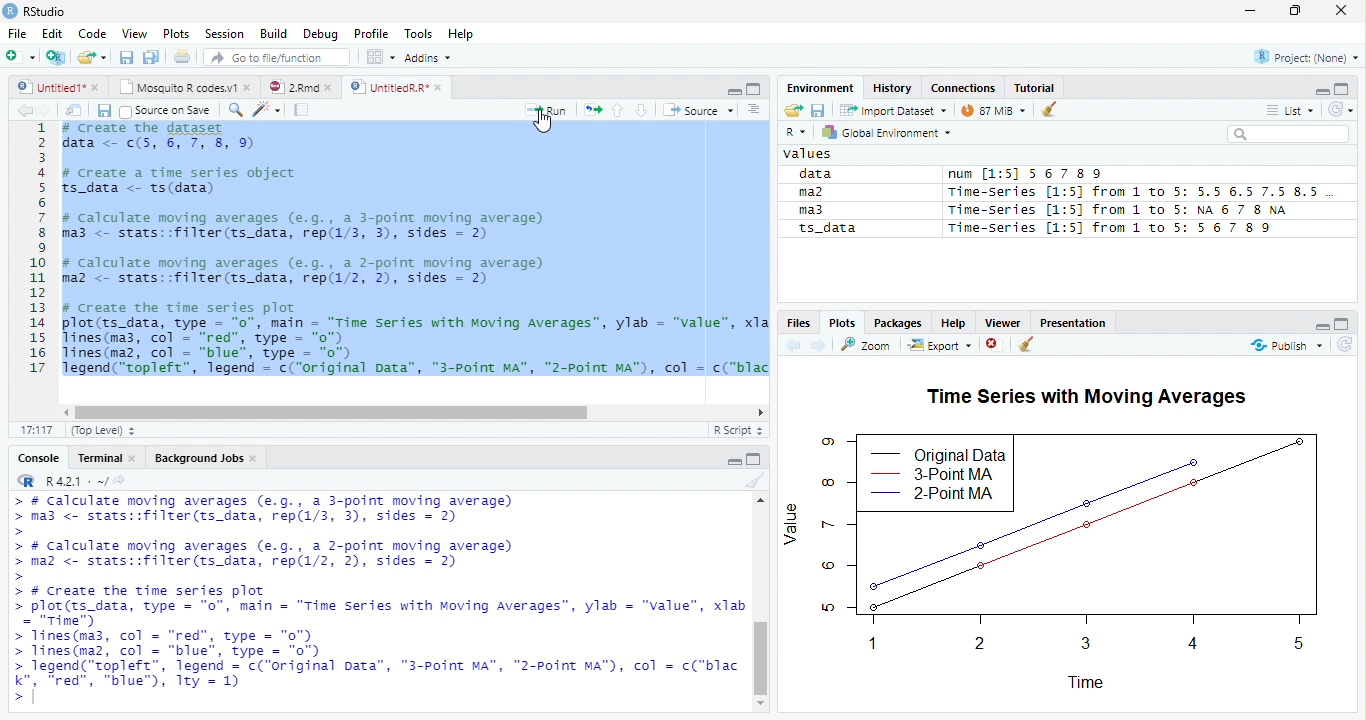 The width and height of the screenshot is (1366, 720). Describe the element at coordinates (1119, 208) in the screenshot. I see `Time-series [1:5] from 1 to 5: NA 6 7 8 NA` at that location.